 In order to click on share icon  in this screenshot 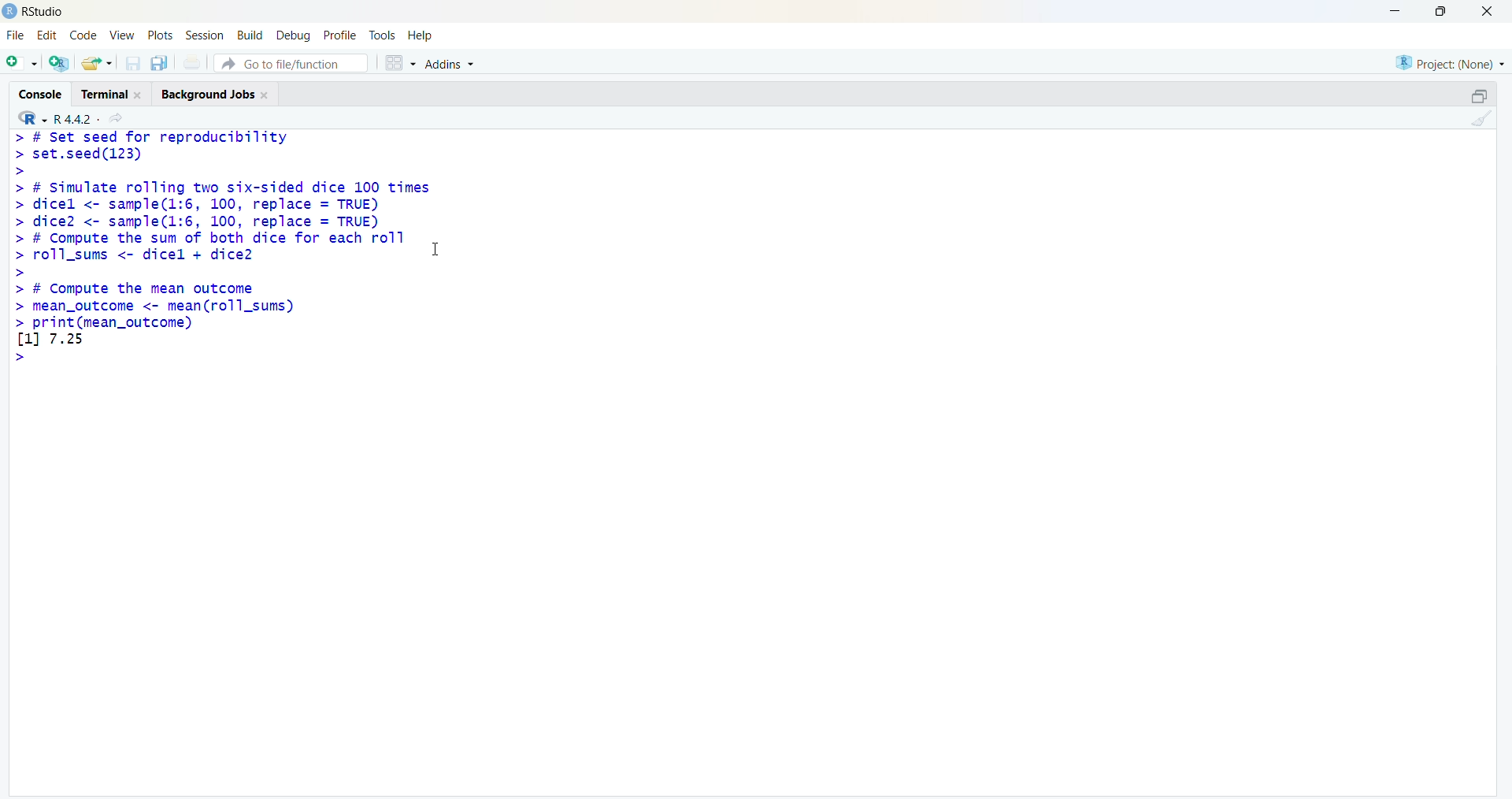, I will do `click(117, 119)`.